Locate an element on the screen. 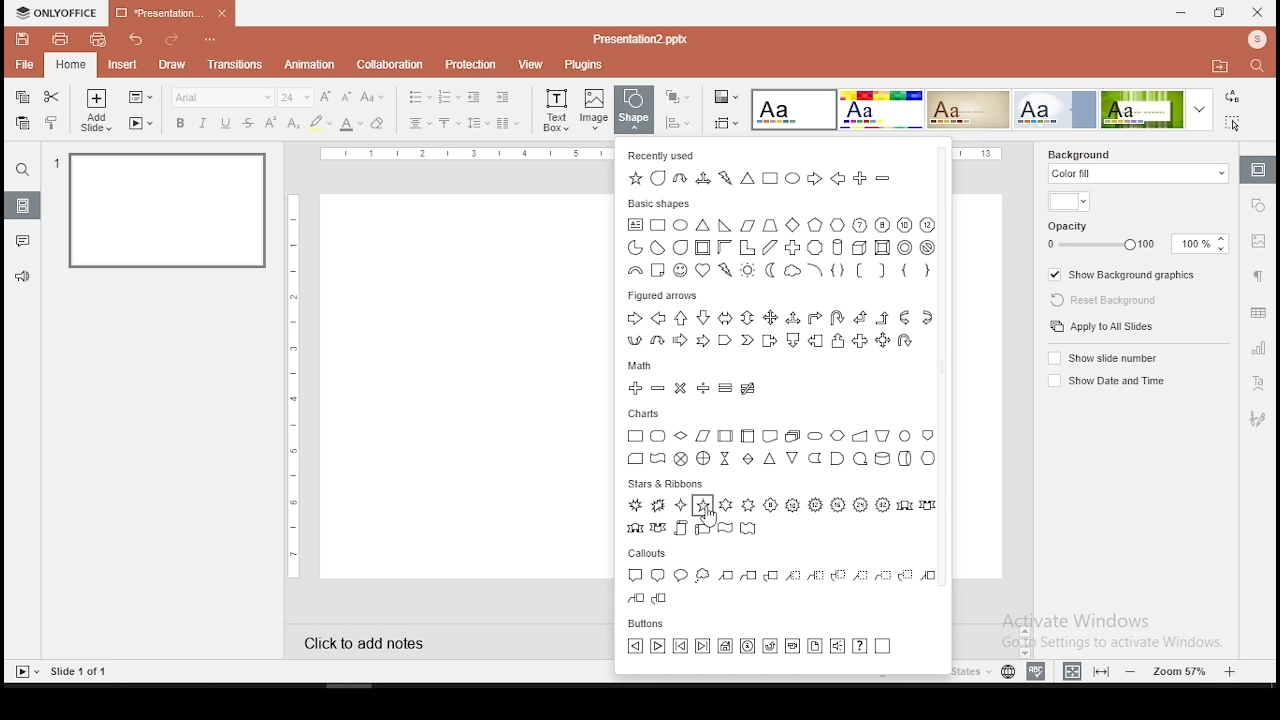 The height and width of the screenshot is (720, 1280). select slide size is located at coordinates (726, 123).